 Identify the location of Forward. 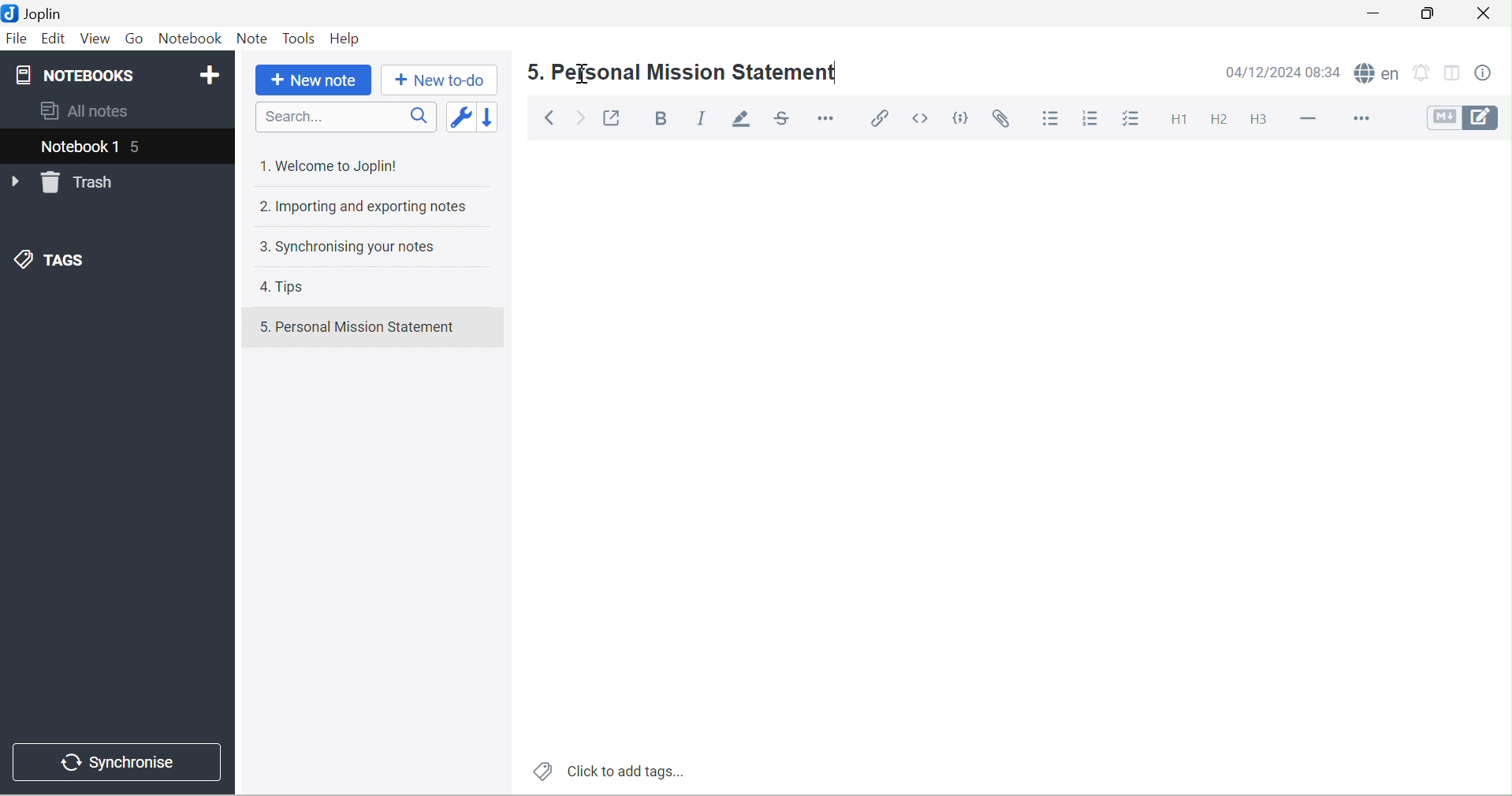
(582, 117).